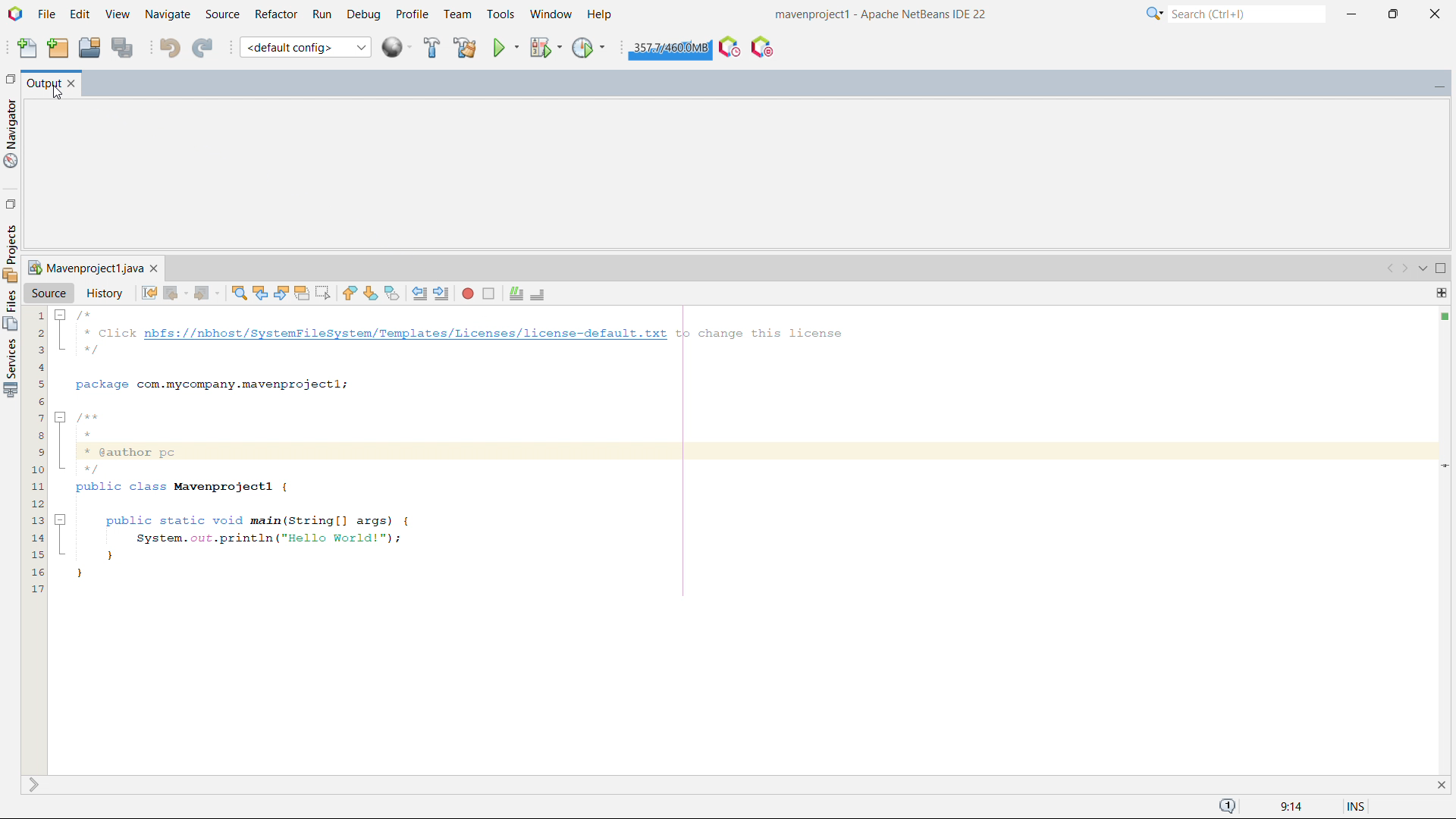 Image resolution: width=1456 pixels, height=819 pixels. I want to click on , so click(396, 48).